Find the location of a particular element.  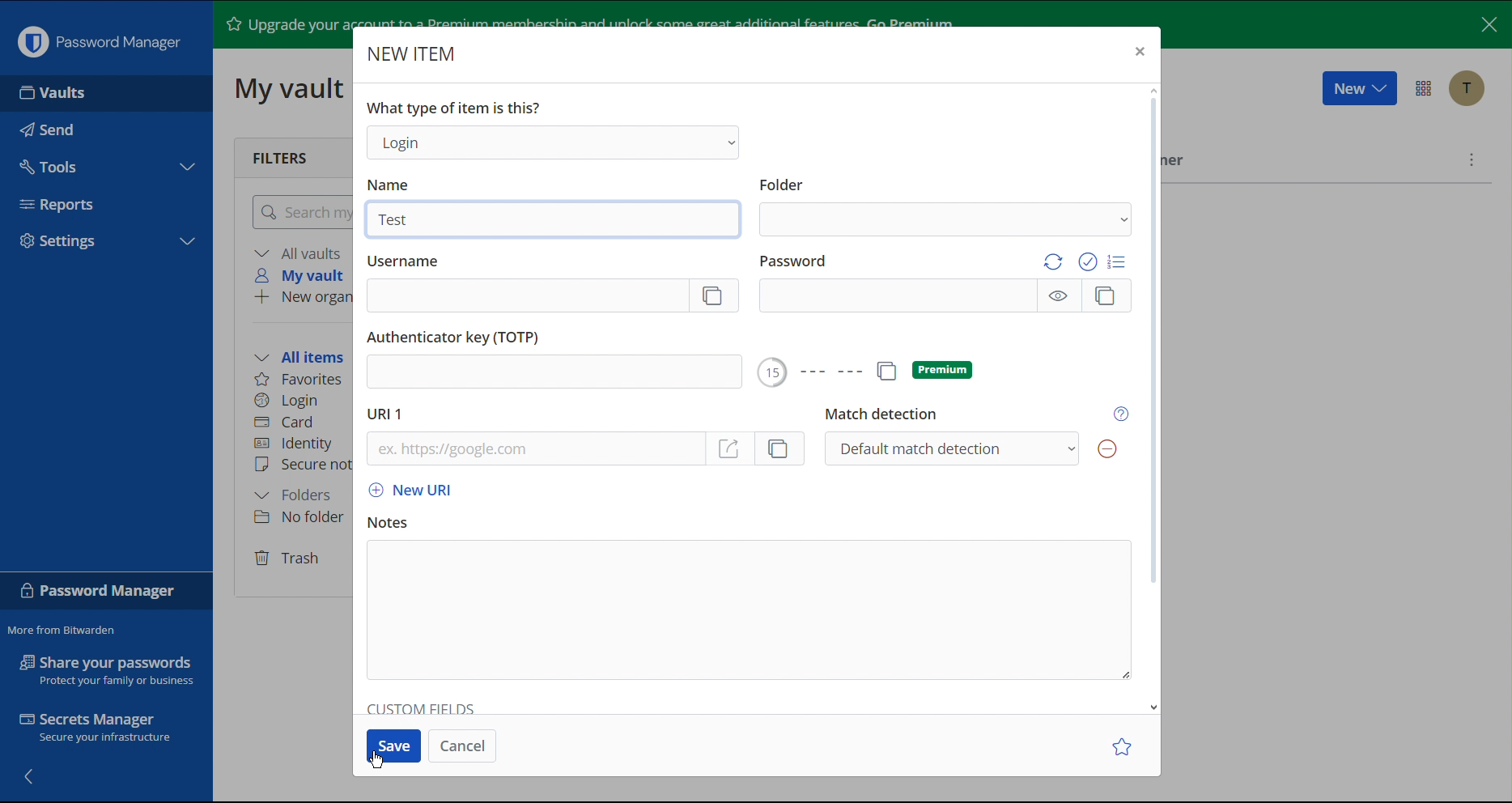

Close is located at coordinates (1143, 54).